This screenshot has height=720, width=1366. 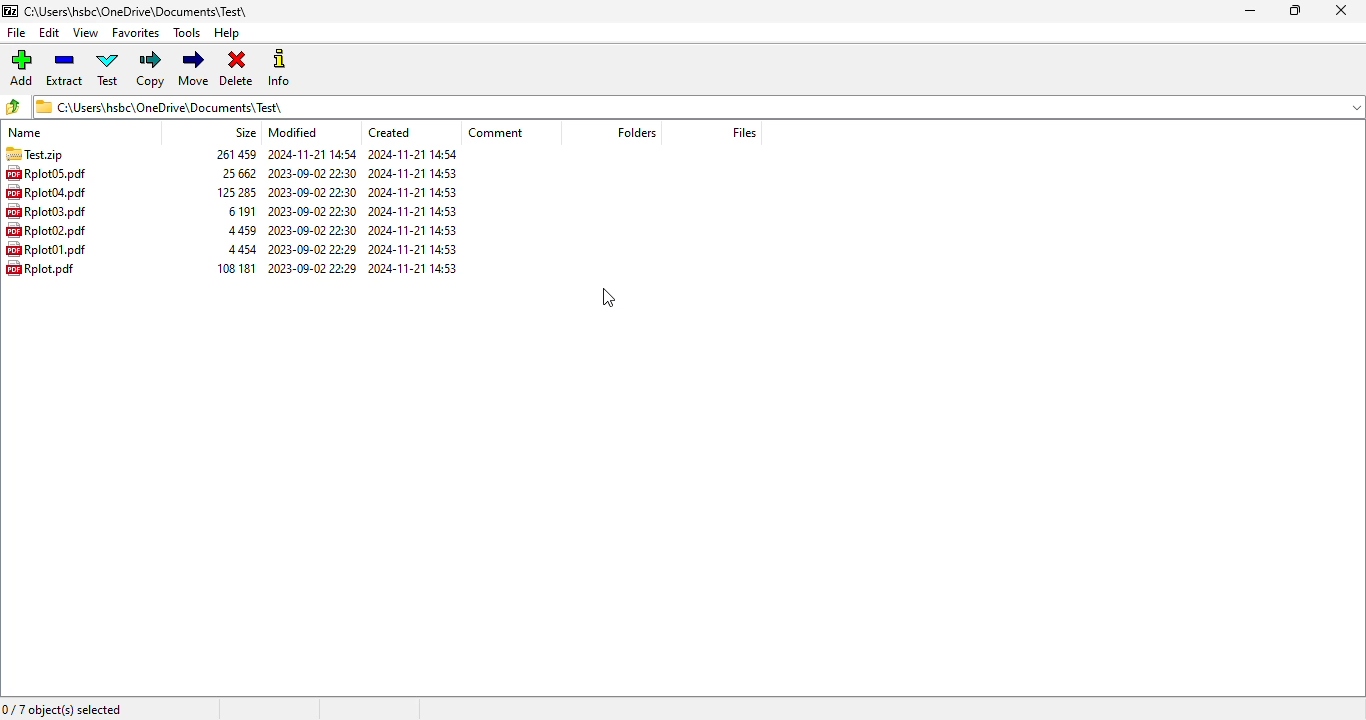 I want to click on close, so click(x=1341, y=10).